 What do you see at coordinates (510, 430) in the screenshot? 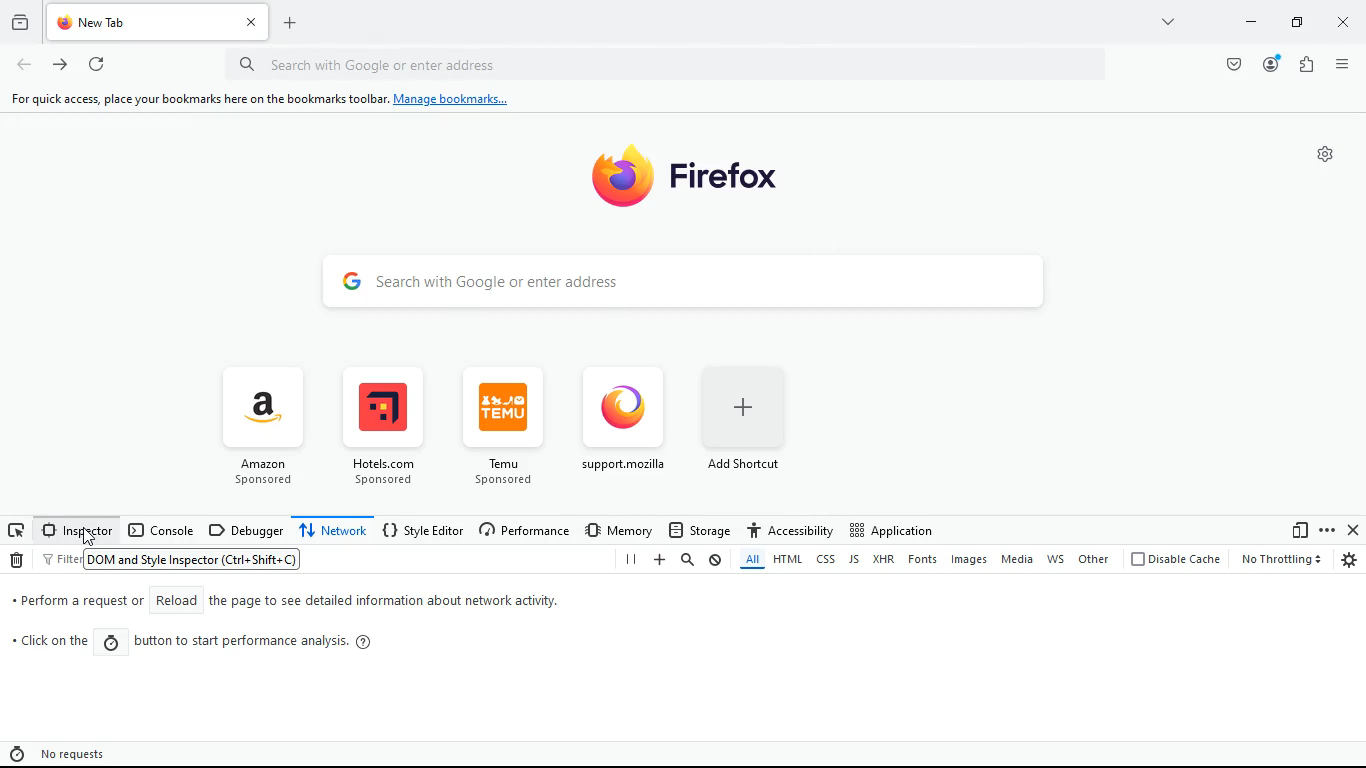
I see `temu` at bounding box center [510, 430].